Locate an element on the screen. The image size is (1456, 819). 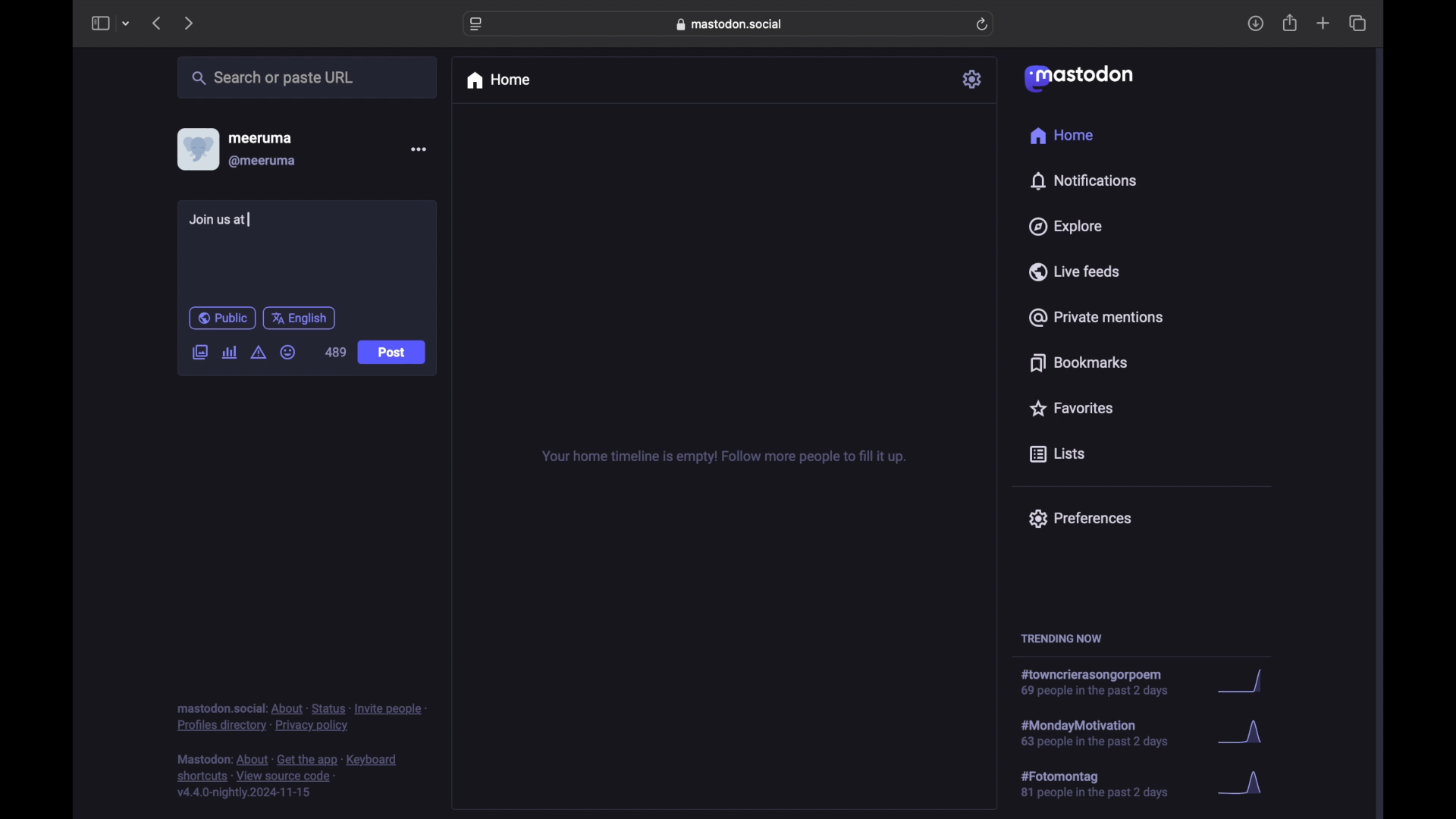
add image is located at coordinates (199, 353).